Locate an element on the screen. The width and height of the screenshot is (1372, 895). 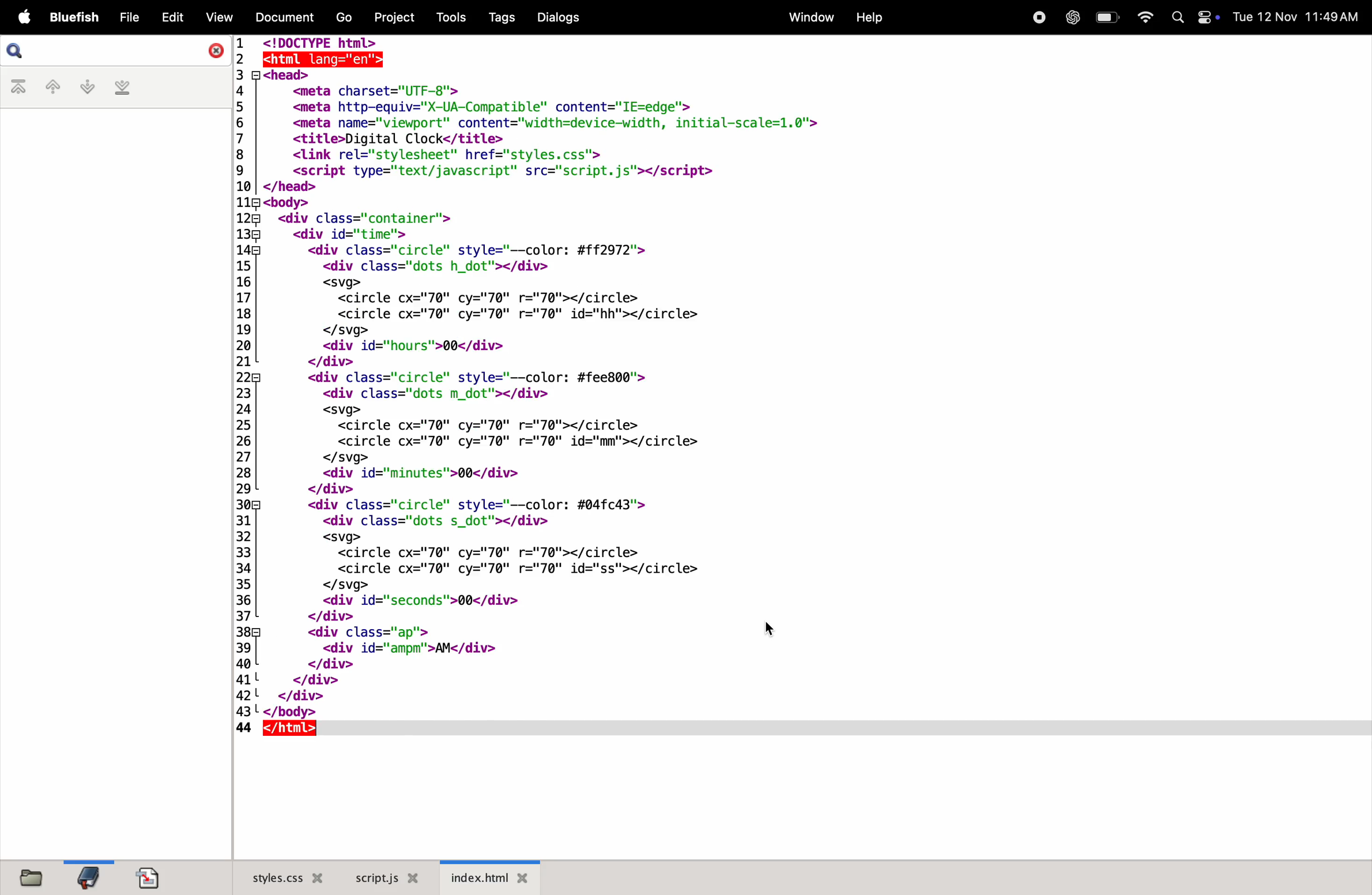
last bookmark is located at coordinates (122, 88).